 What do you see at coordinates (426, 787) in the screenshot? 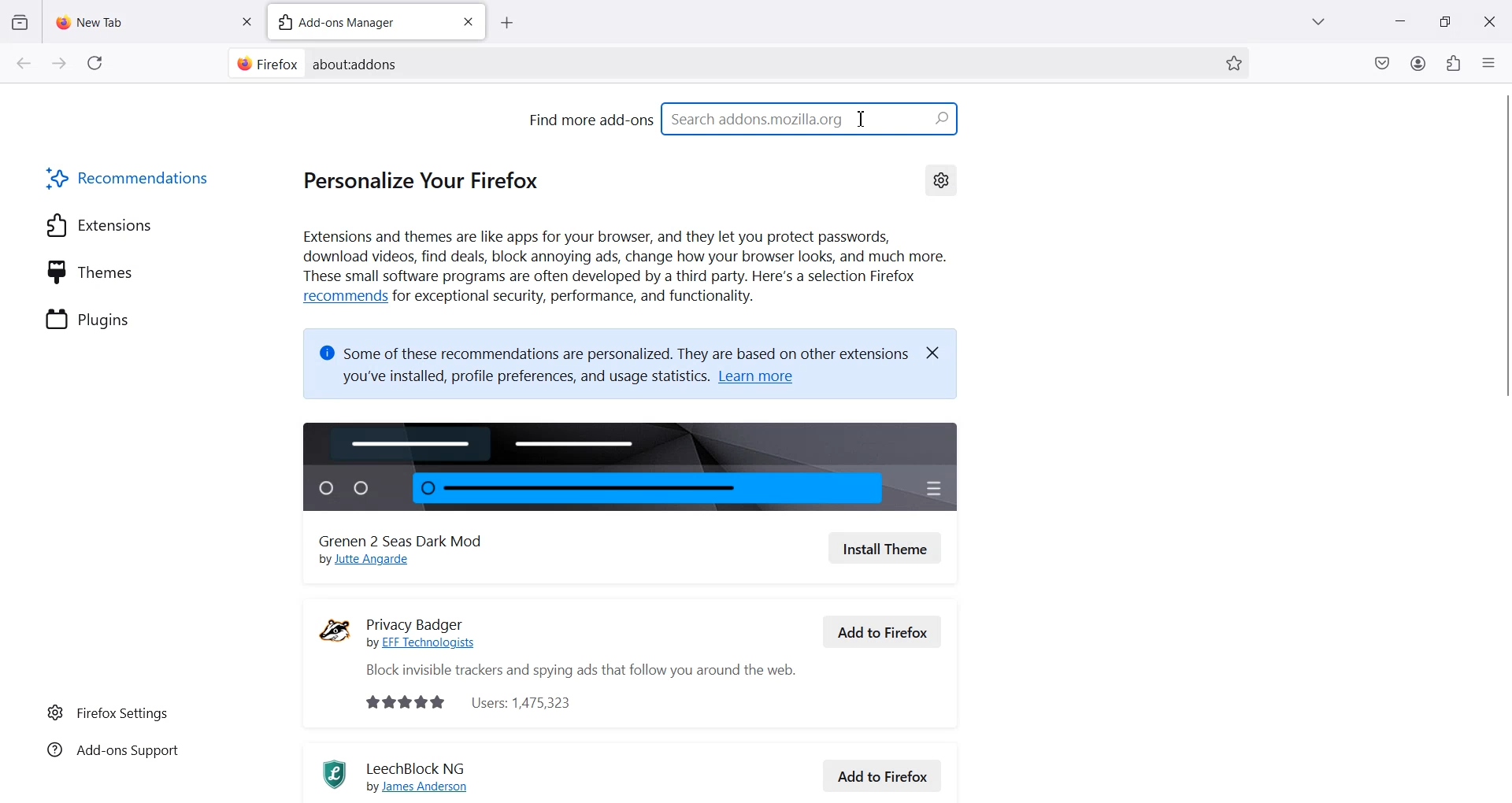
I see `by James Anderson` at bounding box center [426, 787].